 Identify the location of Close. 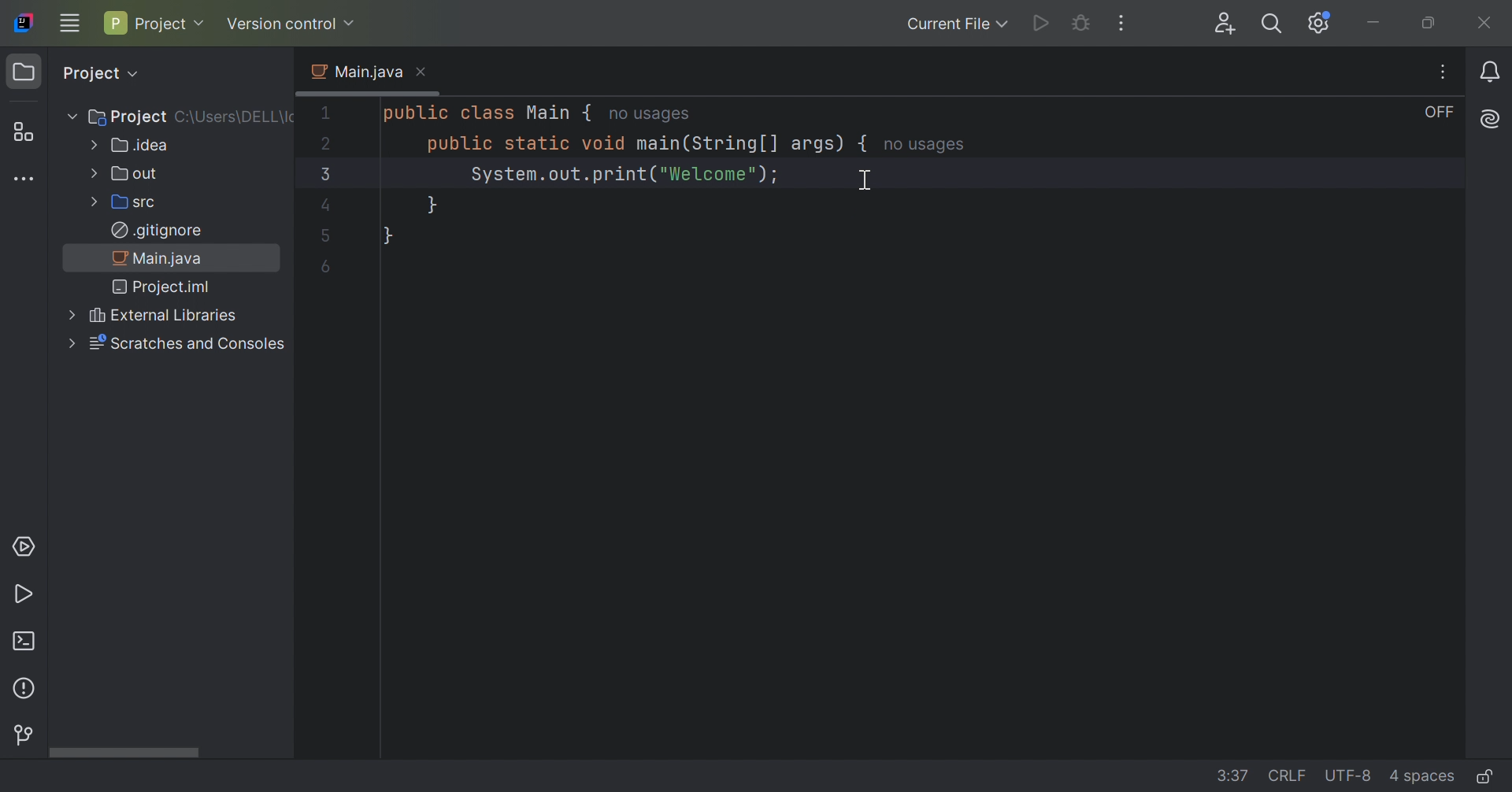
(1484, 23).